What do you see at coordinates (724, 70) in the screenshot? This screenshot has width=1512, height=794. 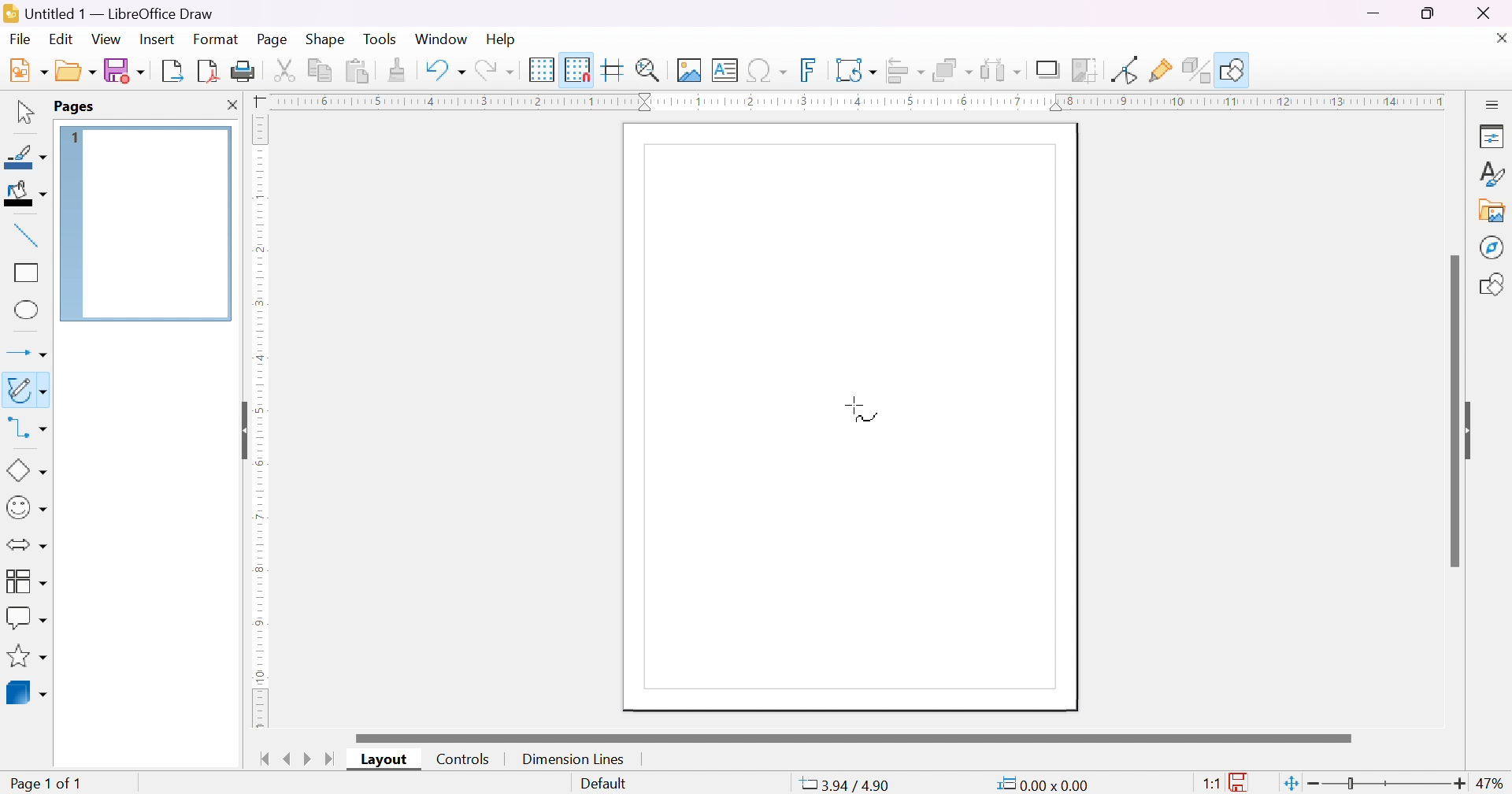 I see `insert text box` at bounding box center [724, 70].